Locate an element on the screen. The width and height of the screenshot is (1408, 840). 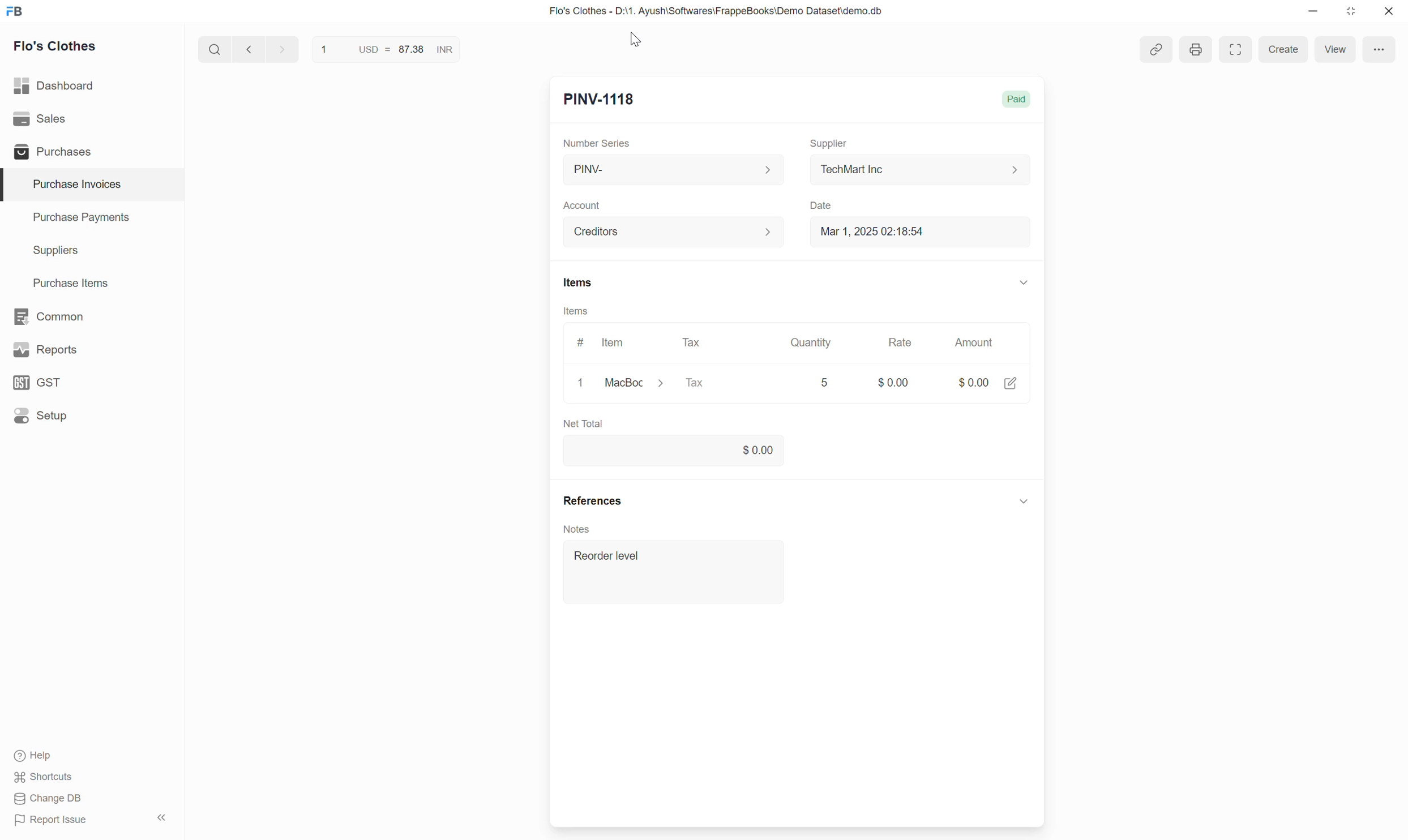
next is located at coordinates (284, 49).